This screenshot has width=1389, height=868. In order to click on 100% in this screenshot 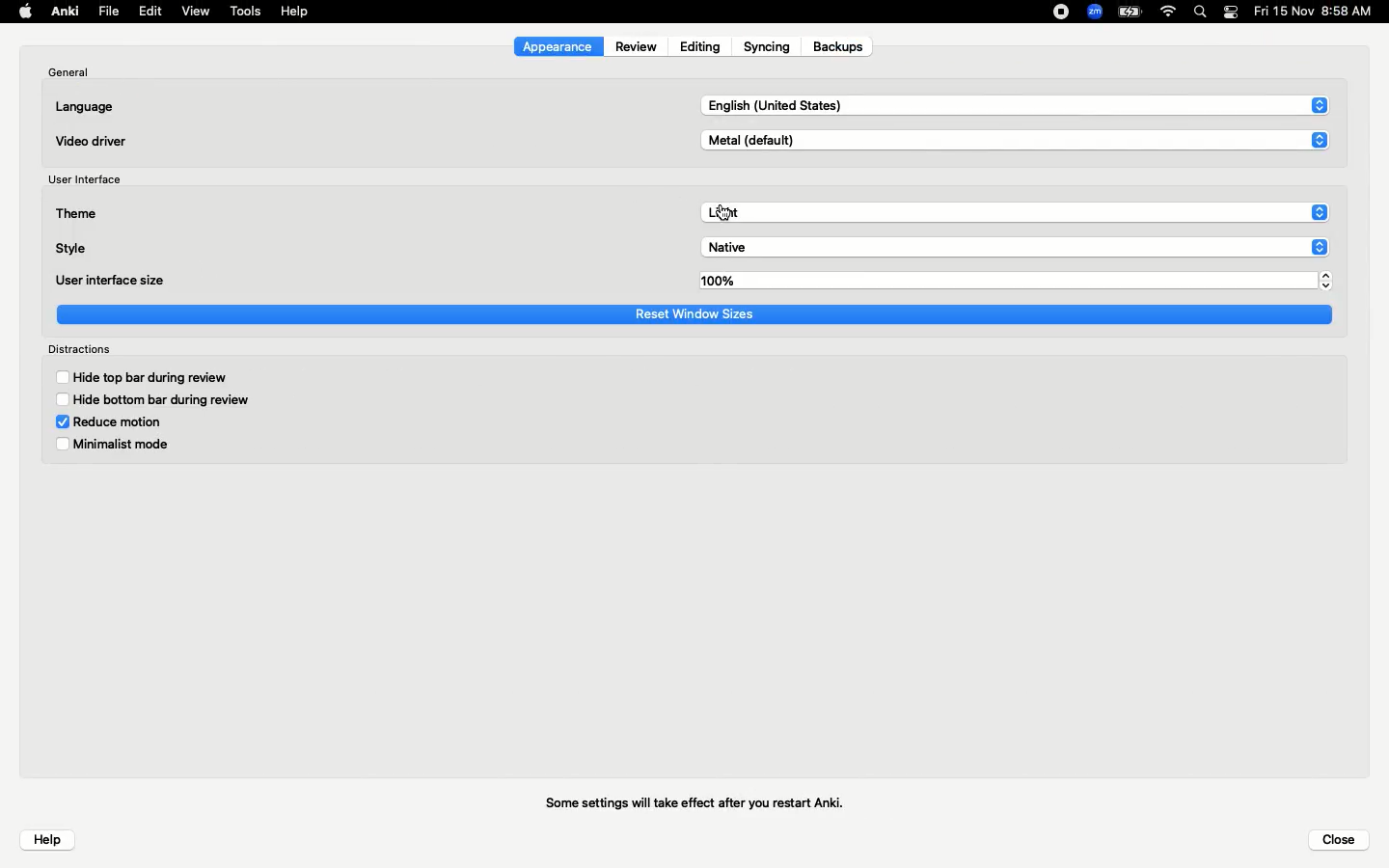, I will do `click(1017, 279)`.